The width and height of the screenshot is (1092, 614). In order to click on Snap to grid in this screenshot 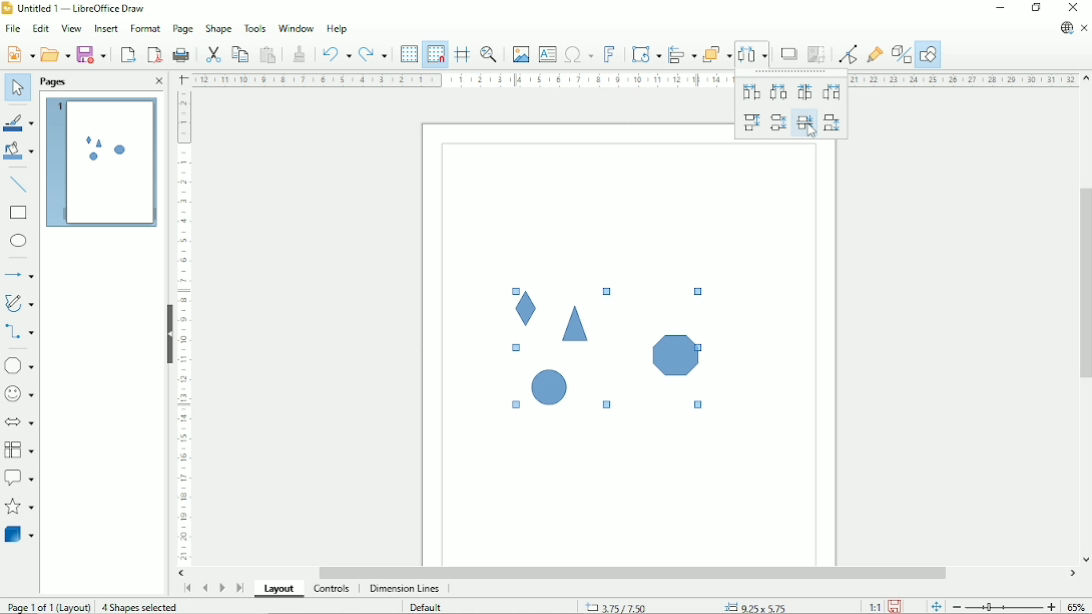, I will do `click(435, 53)`.